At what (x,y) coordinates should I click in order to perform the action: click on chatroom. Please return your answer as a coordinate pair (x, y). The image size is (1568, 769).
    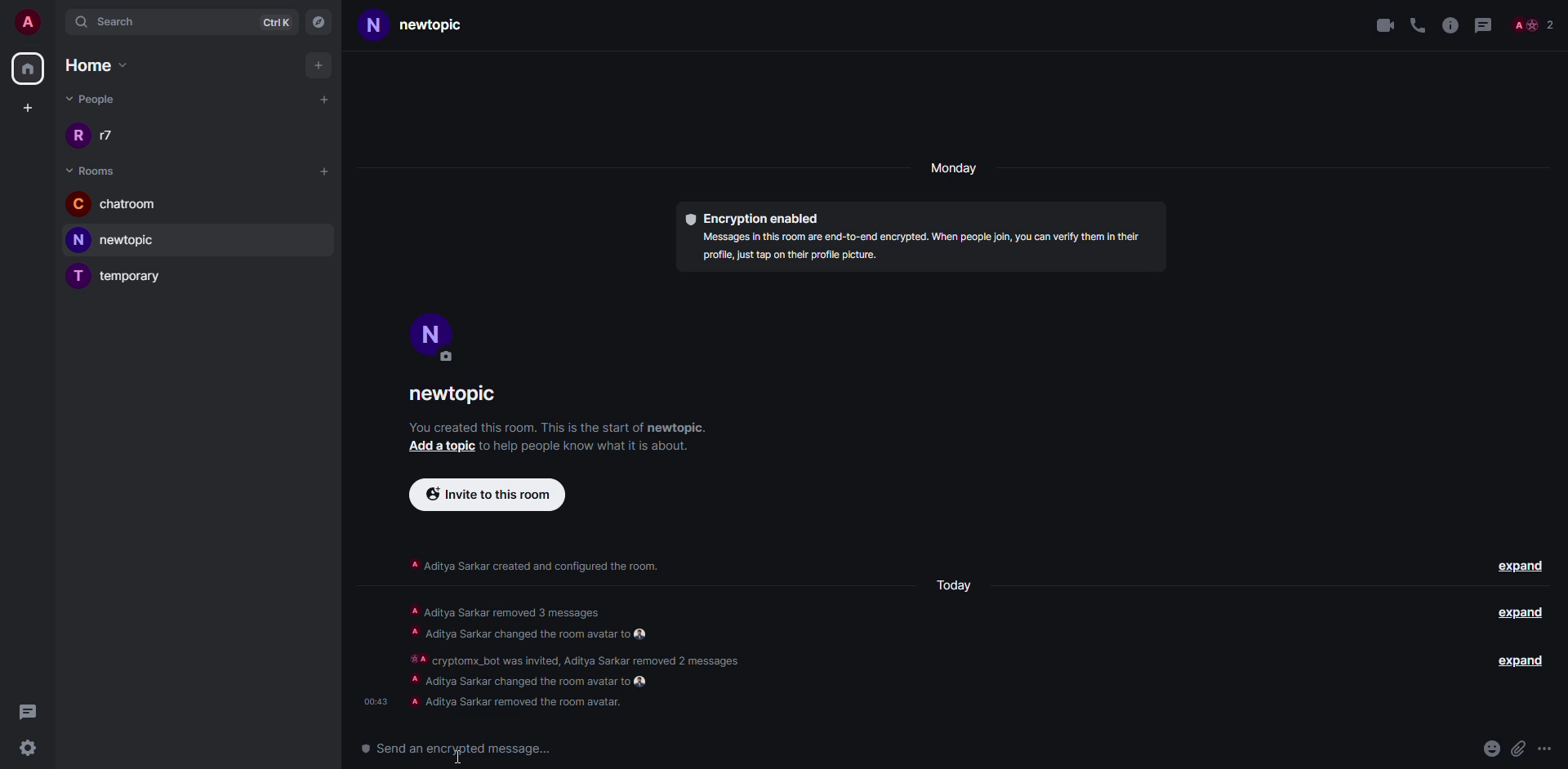
    Looking at the image, I should click on (116, 206).